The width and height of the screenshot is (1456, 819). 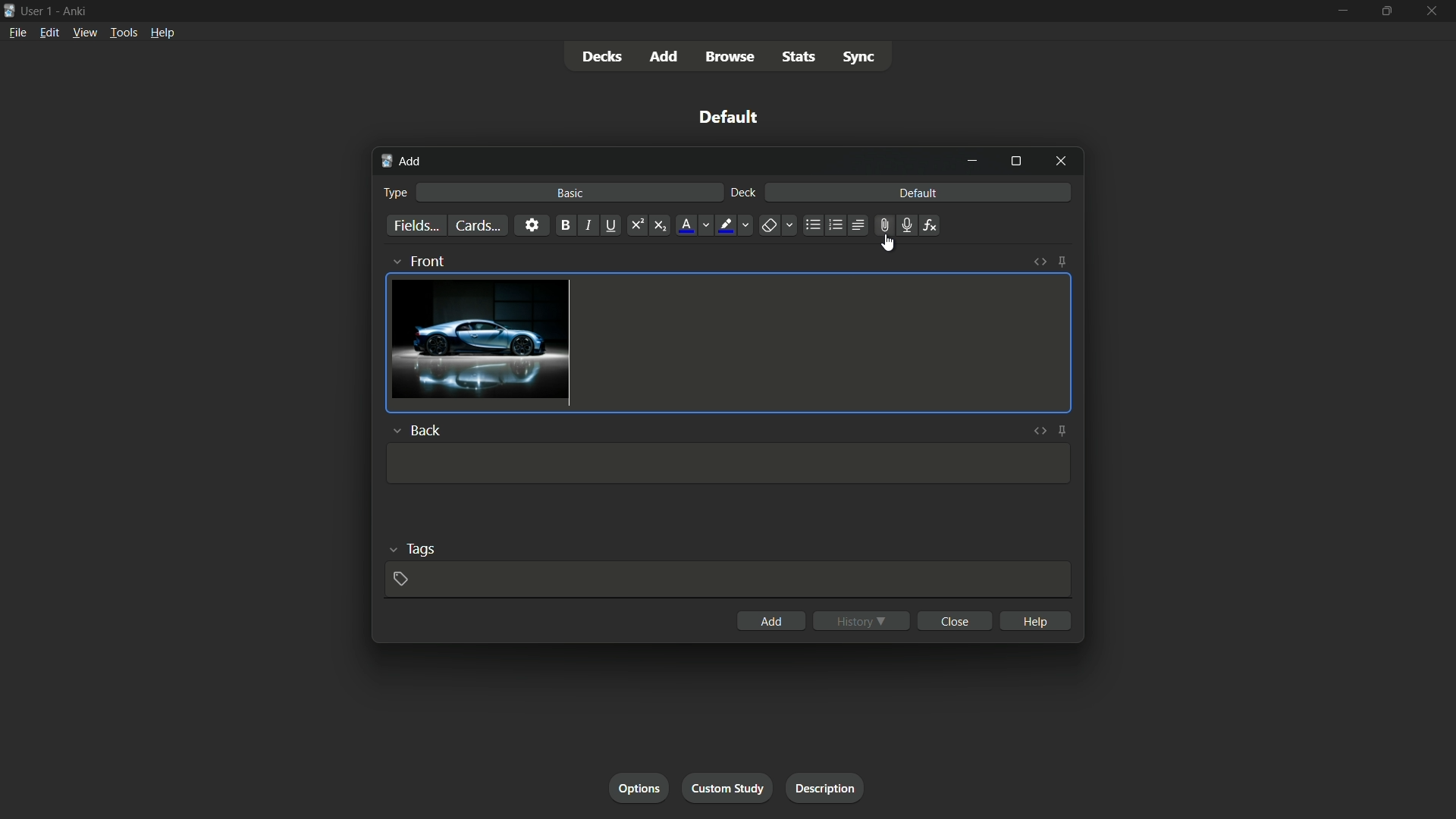 What do you see at coordinates (1064, 262) in the screenshot?
I see `toggle sticky` at bounding box center [1064, 262].